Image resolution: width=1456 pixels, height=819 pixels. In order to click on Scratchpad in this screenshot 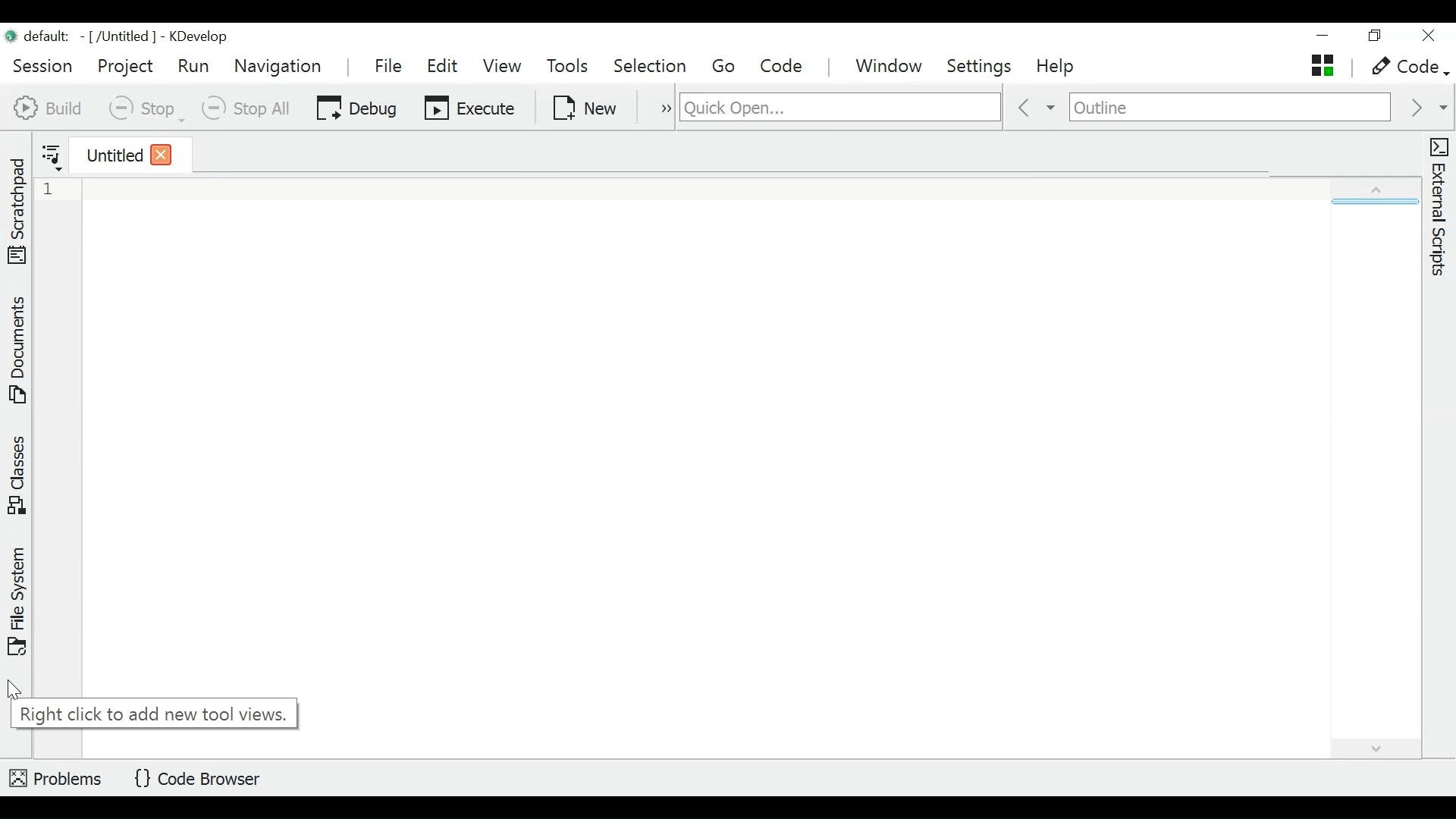, I will do `click(17, 208)`.